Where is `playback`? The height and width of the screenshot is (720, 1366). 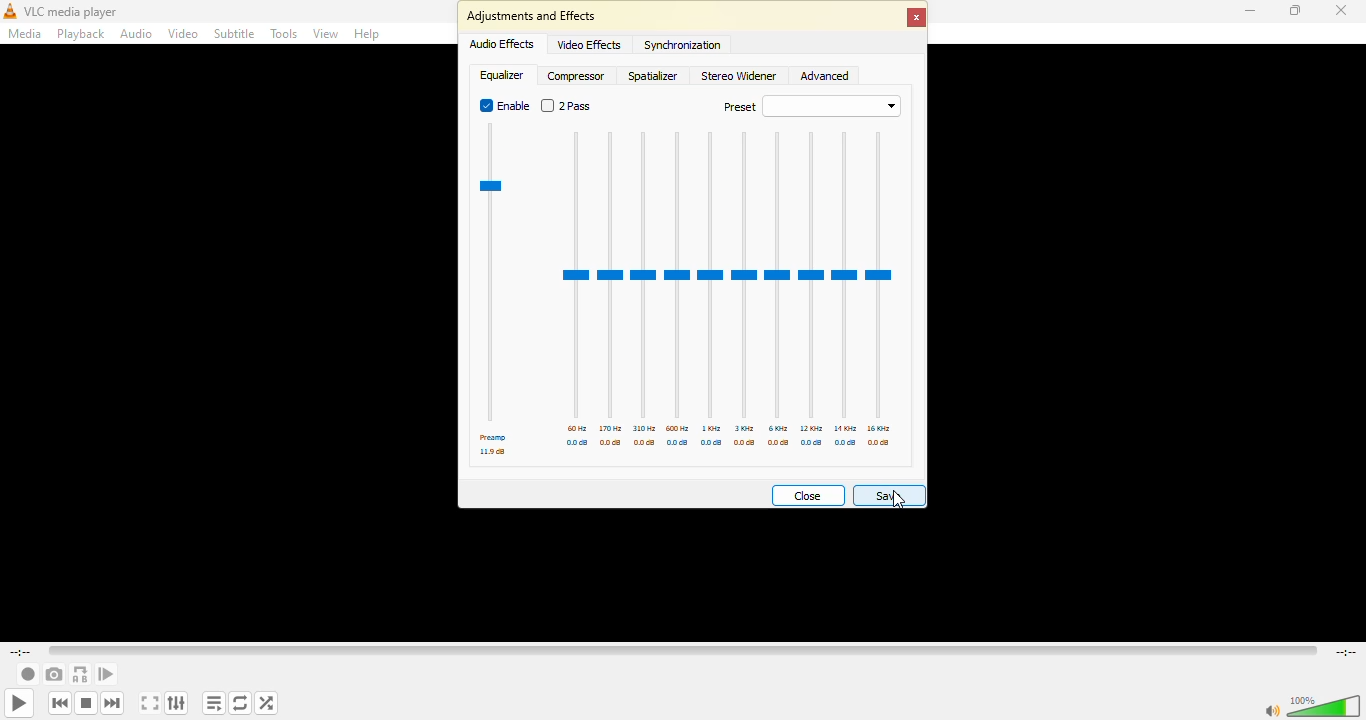 playback is located at coordinates (82, 35).